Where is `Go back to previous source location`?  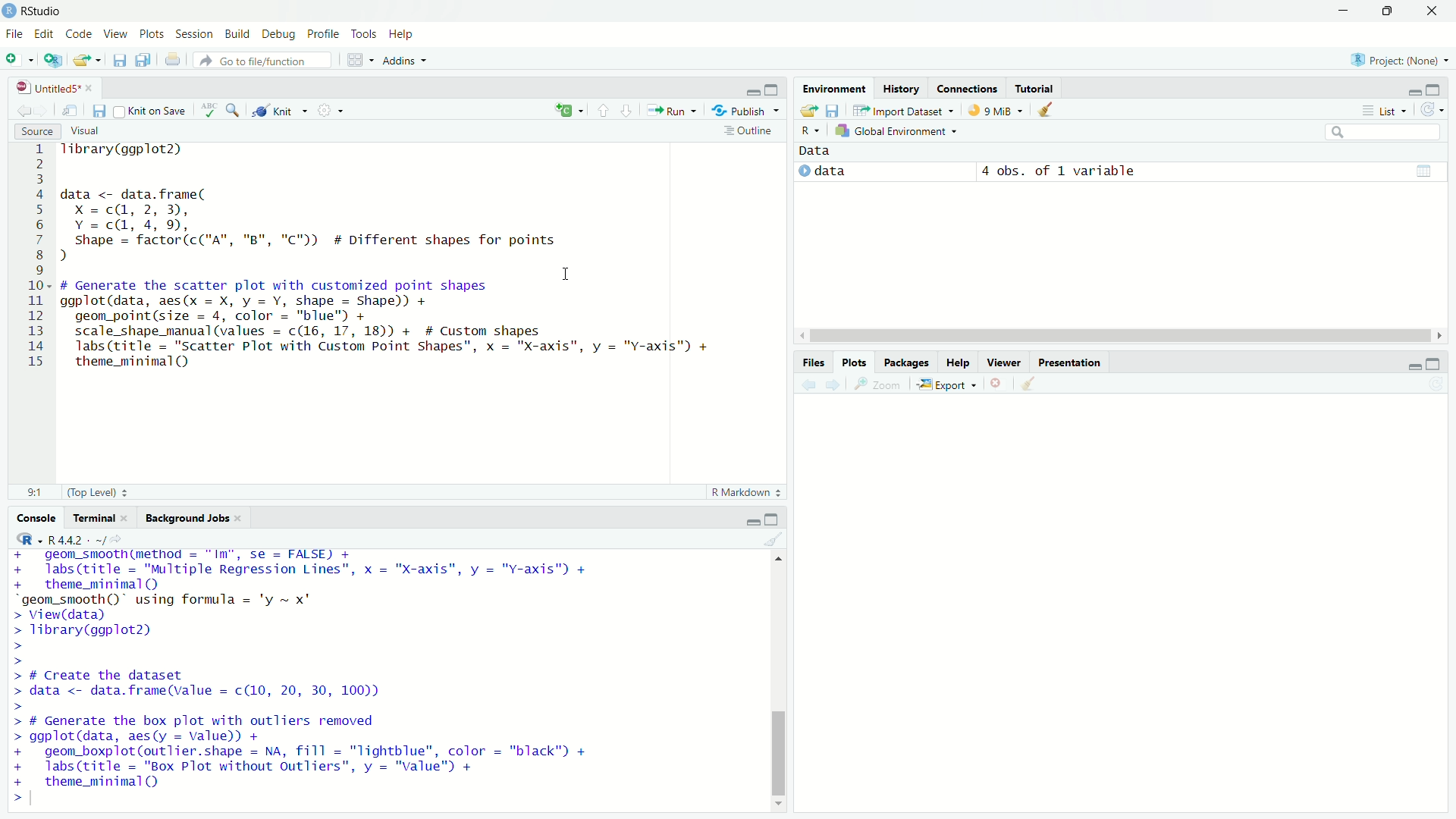 Go back to previous source location is located at coordinates (23, 110).